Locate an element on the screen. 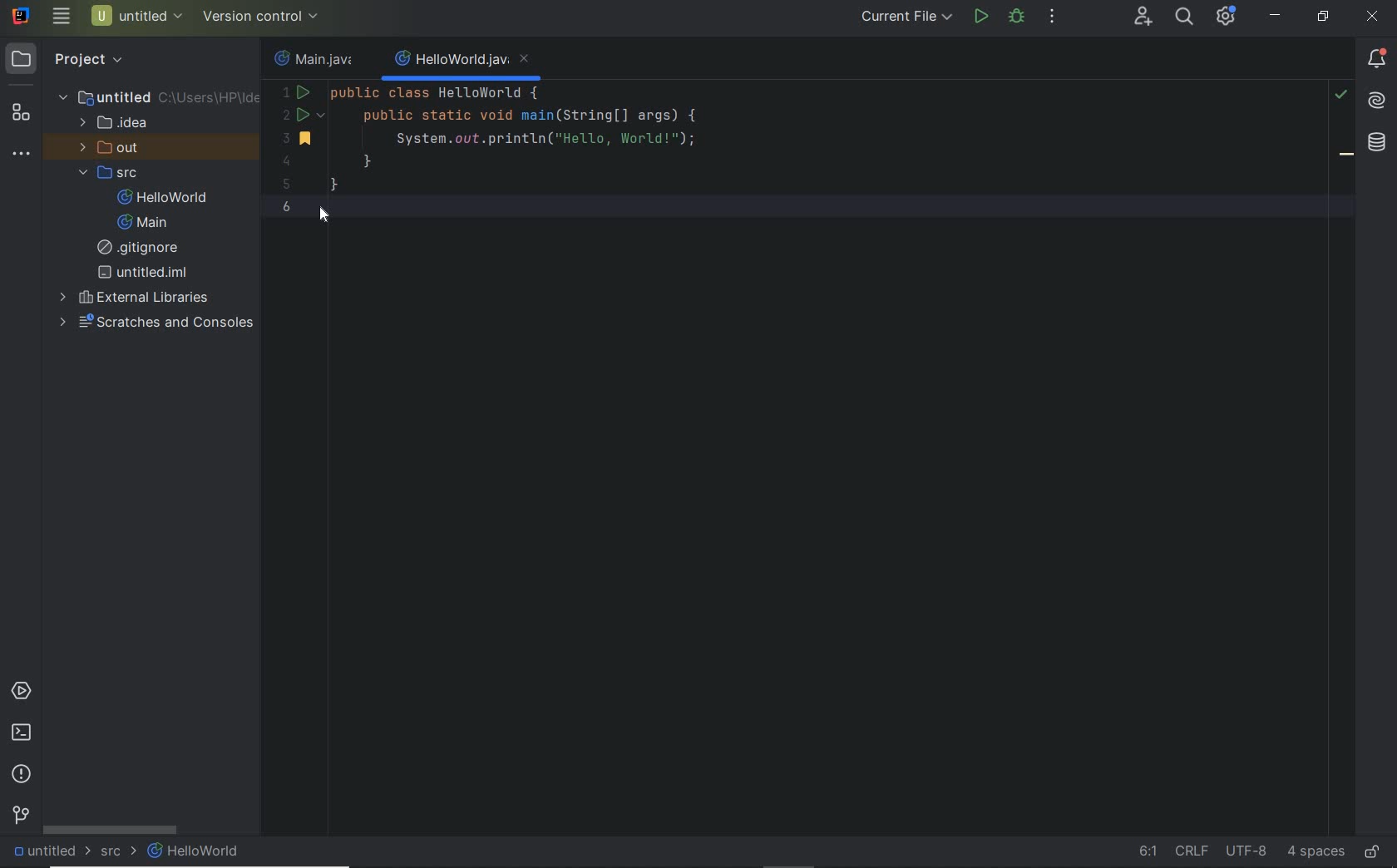  out is located at coordinates (113, 147).